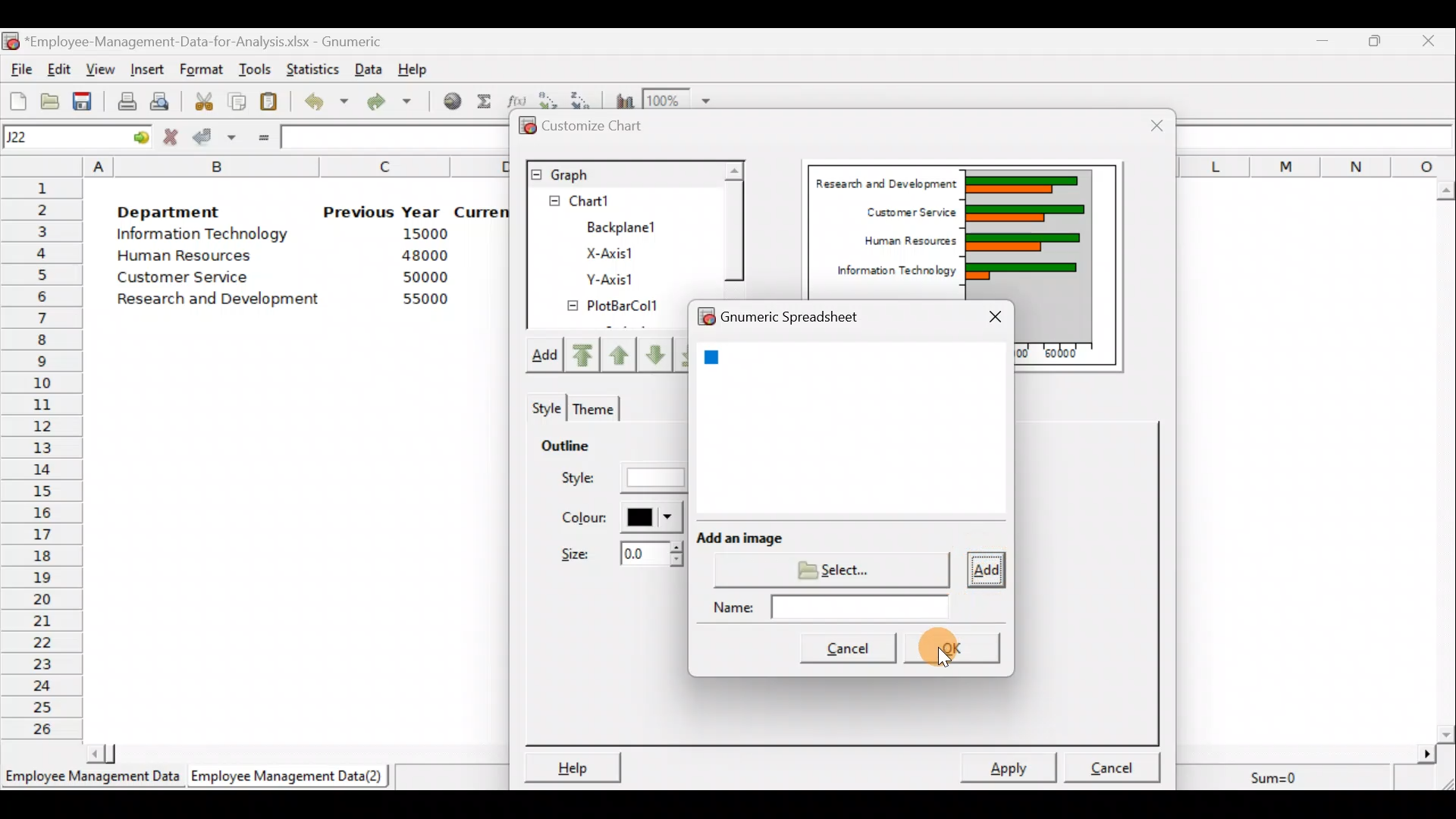 Image resolution: width=1456 pixels, height=819 pixels. Describe the element at coordinates (587, 448) in the screenshot. I see `Outline` at that location.